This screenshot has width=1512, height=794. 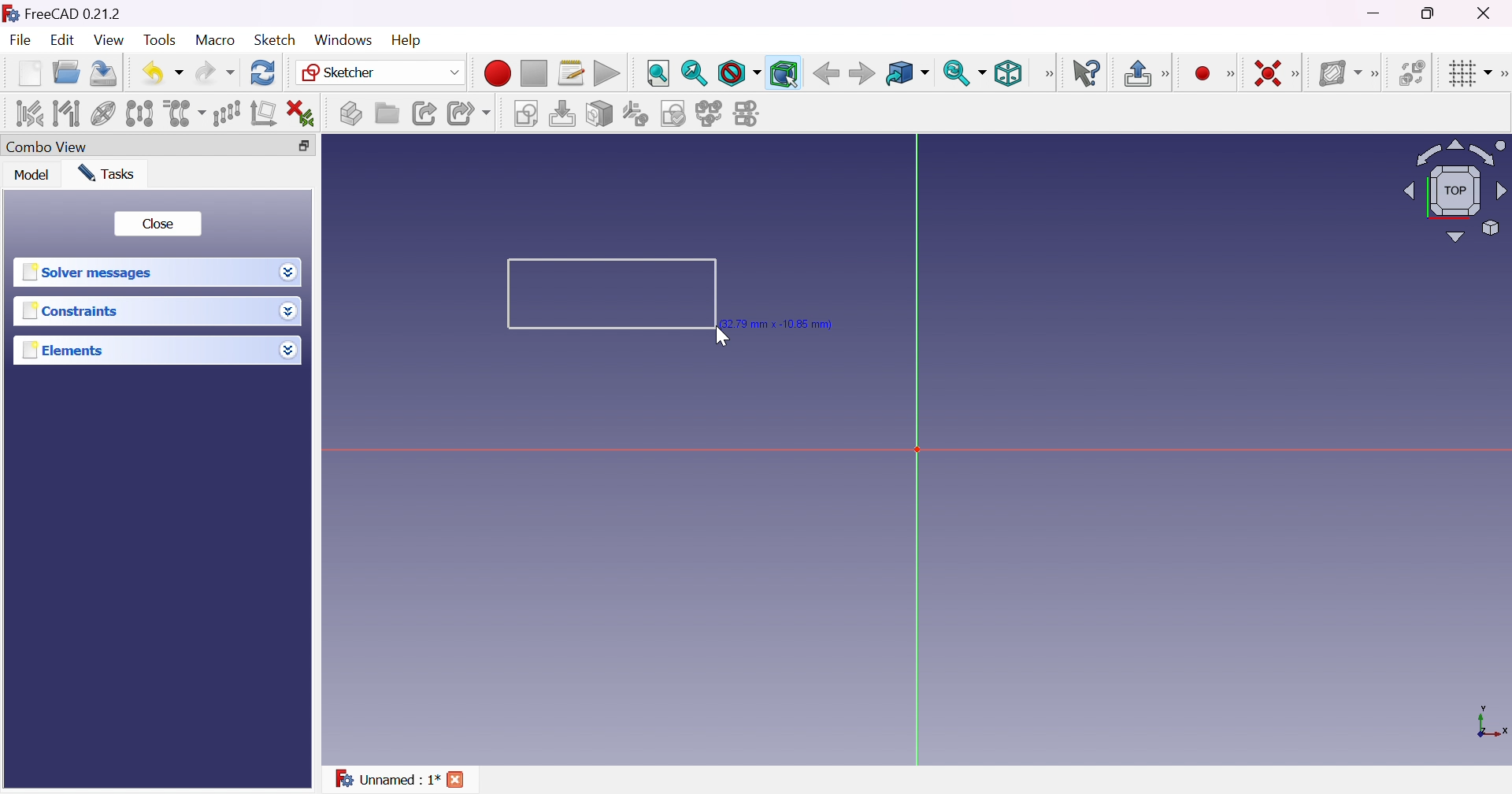 I want to click on Elements, so click(x=63, y=351).